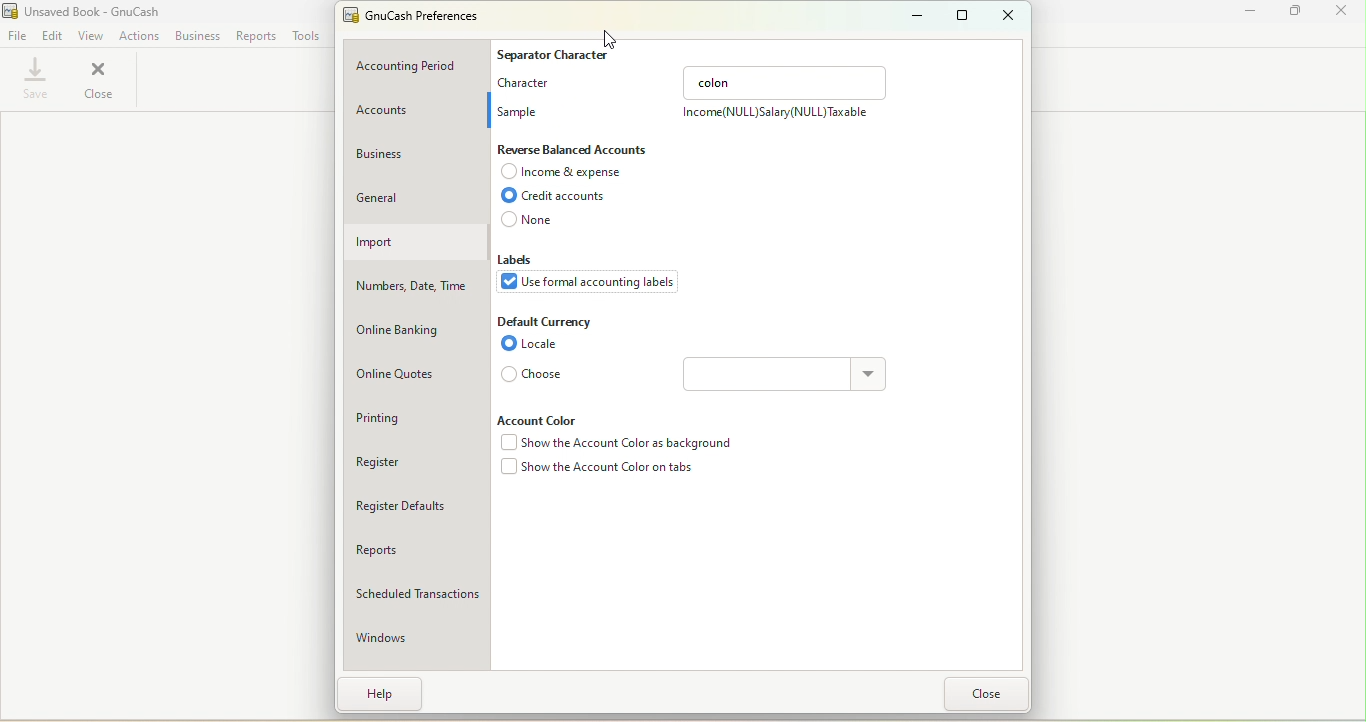  What do you see at coordinates (100, 80) in the screenshot?
I see `Close` at bounding box center [100, 80].